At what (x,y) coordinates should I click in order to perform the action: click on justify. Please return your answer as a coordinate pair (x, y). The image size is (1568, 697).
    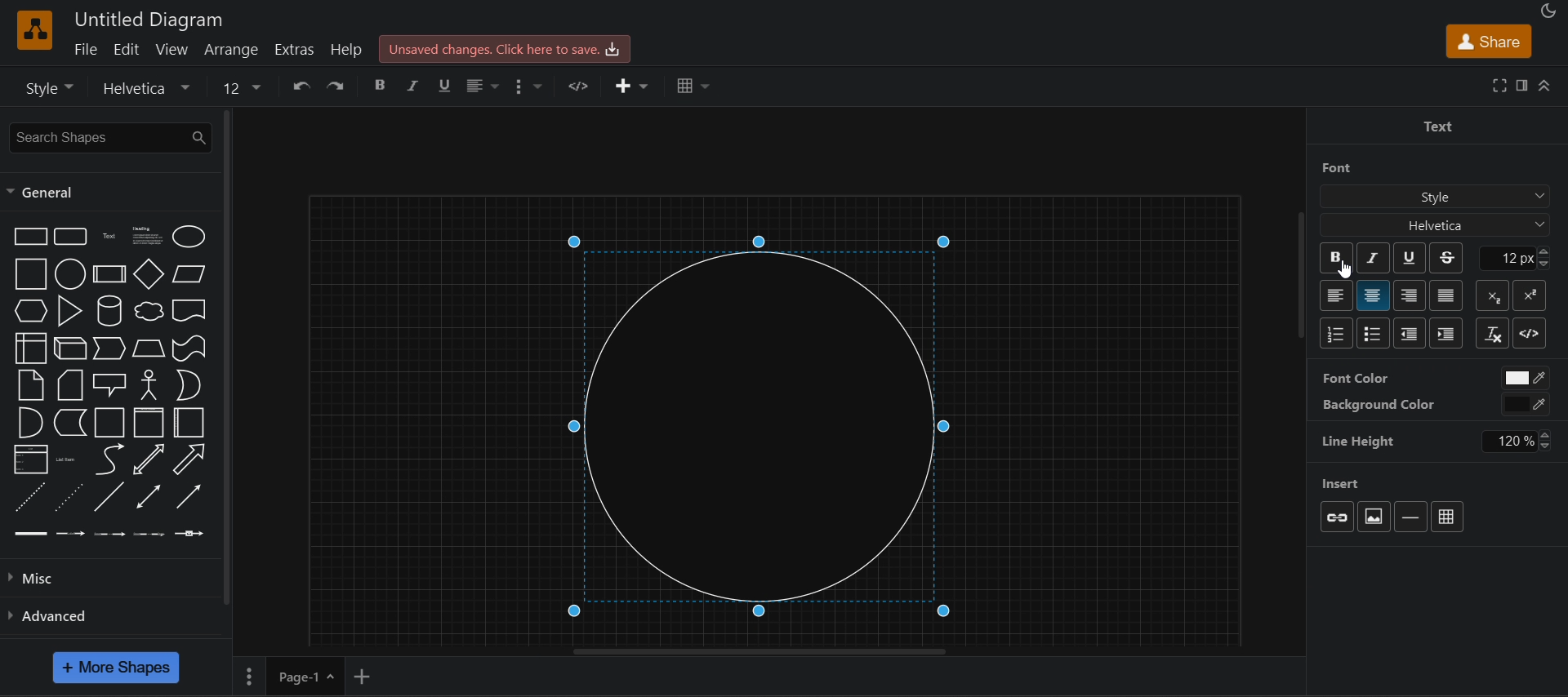
    Looking at the image, I should click on (1445, 295).